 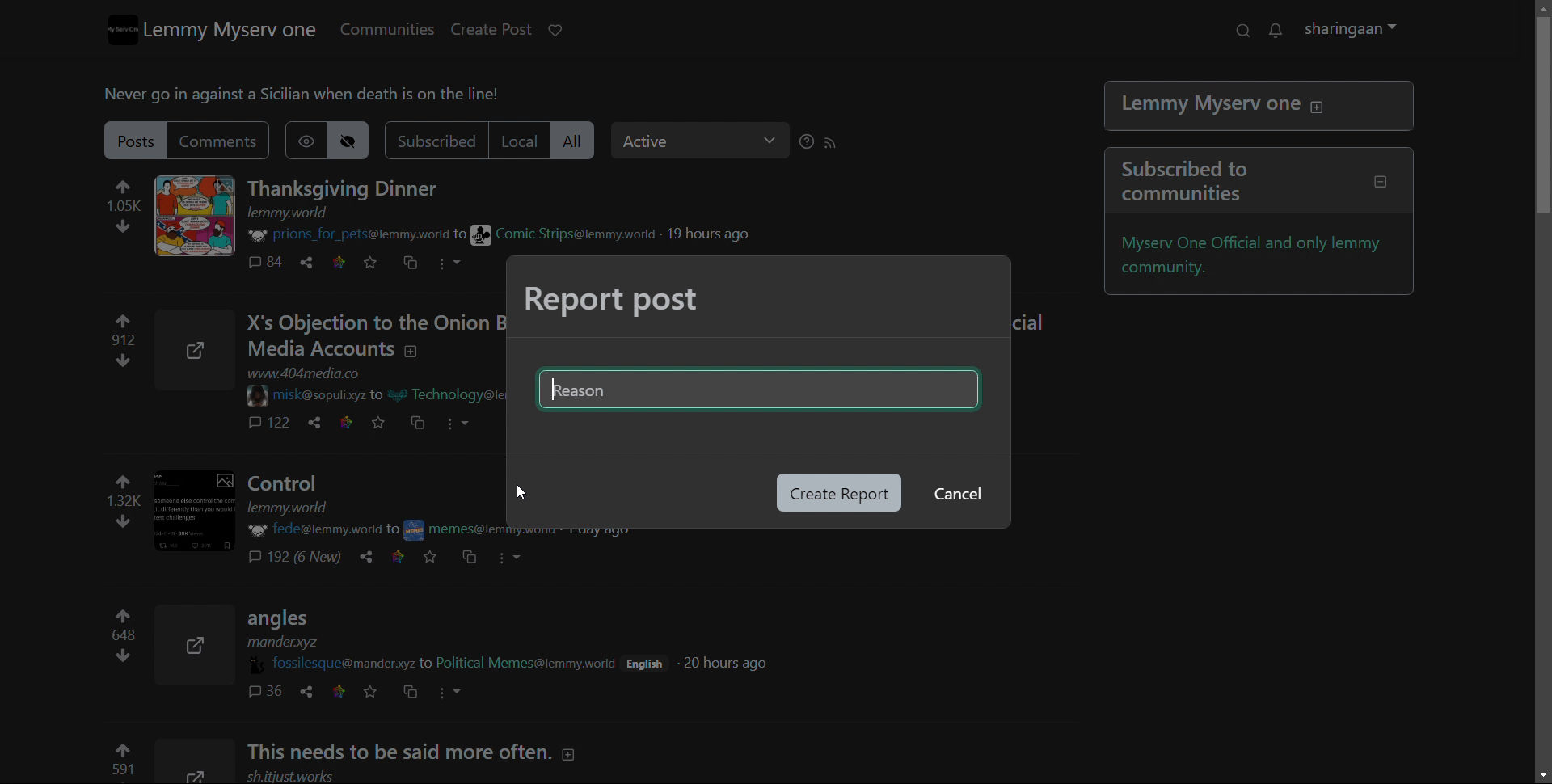 What do you see at coordinates (1537, 172) in the screenshot?
I see `Scroll bar` at bounding box center [1537, 172].